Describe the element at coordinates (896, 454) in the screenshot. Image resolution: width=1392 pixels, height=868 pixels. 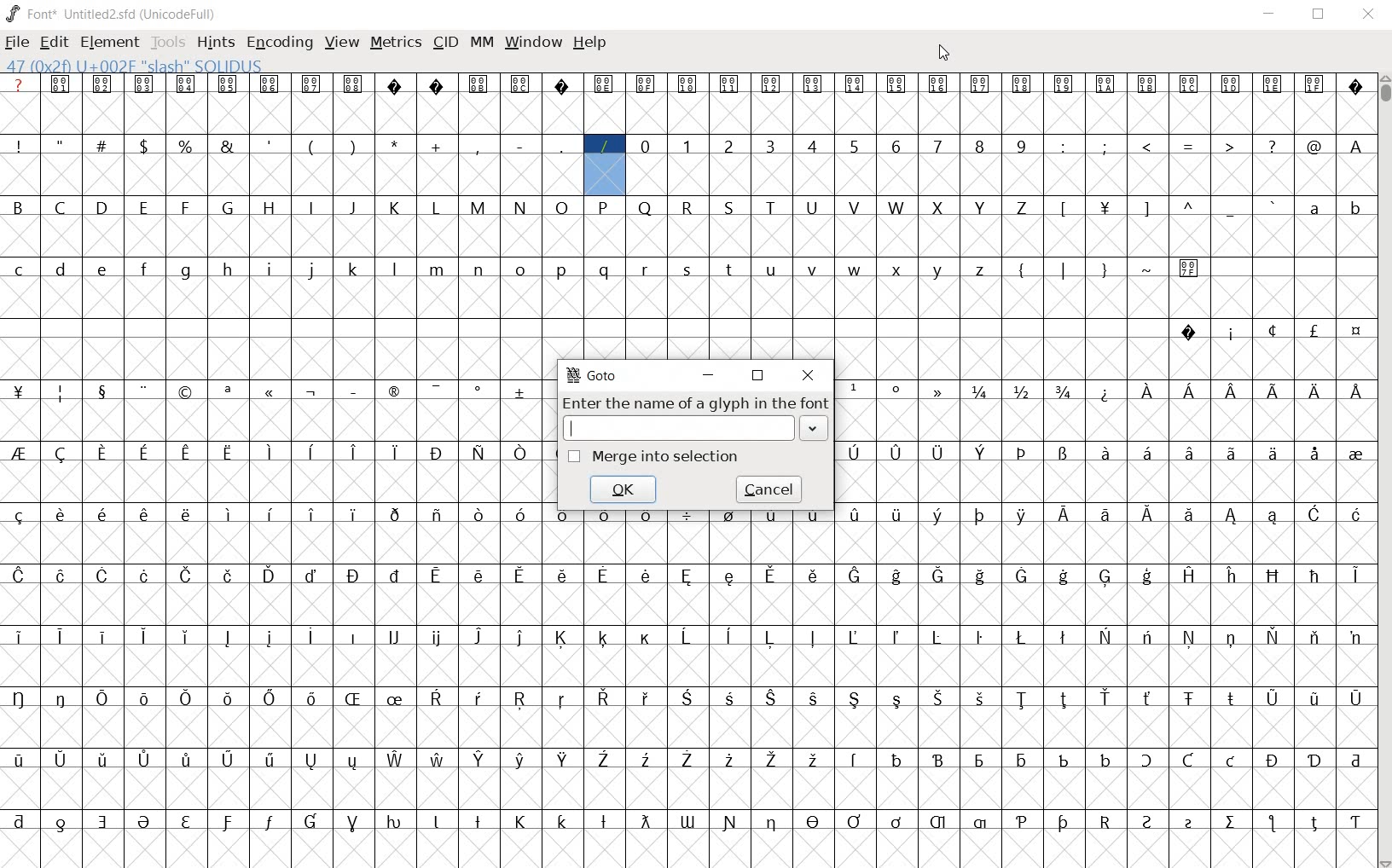
I see `glyph` at that location.